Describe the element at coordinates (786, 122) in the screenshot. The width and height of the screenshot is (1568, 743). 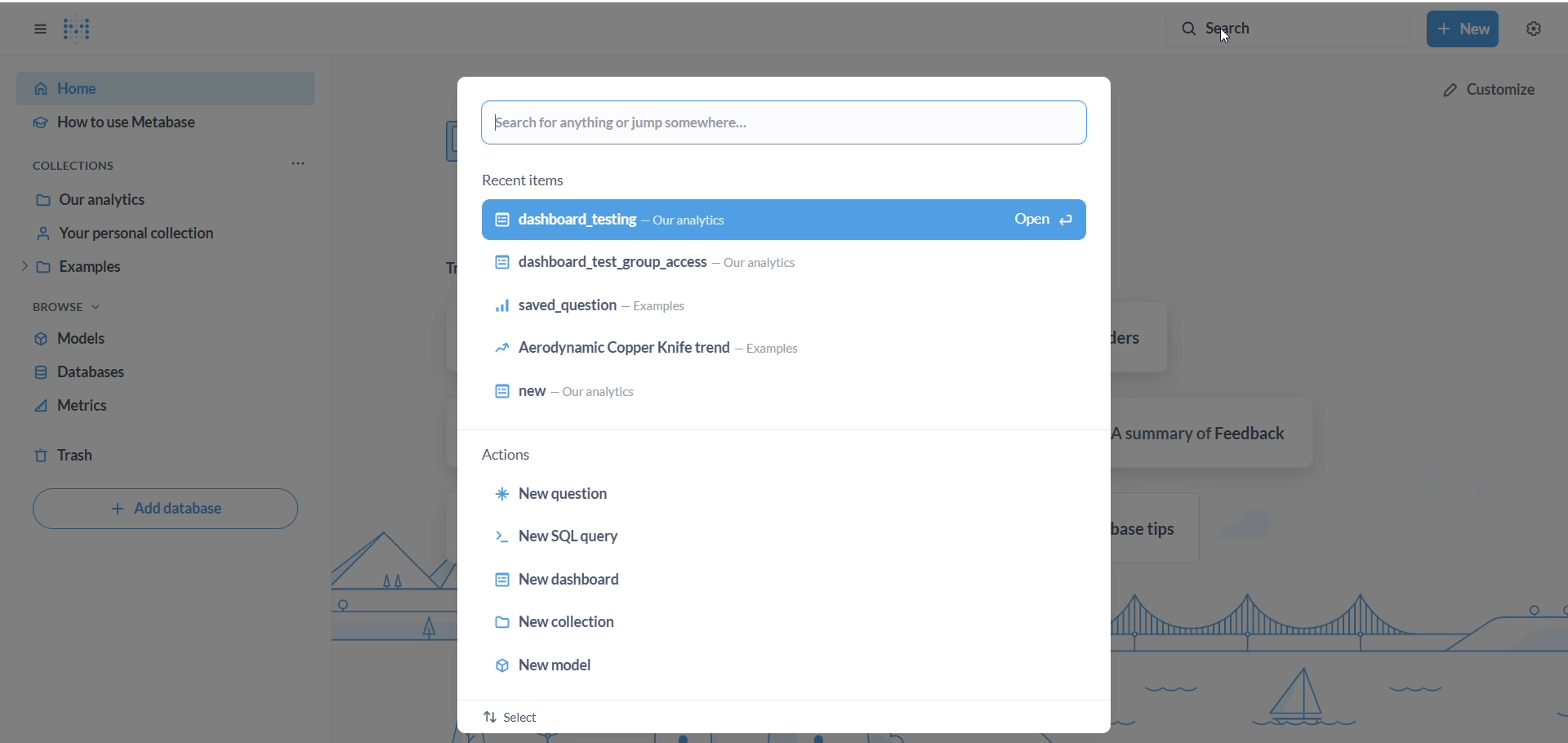
I see `search bar` at that location.